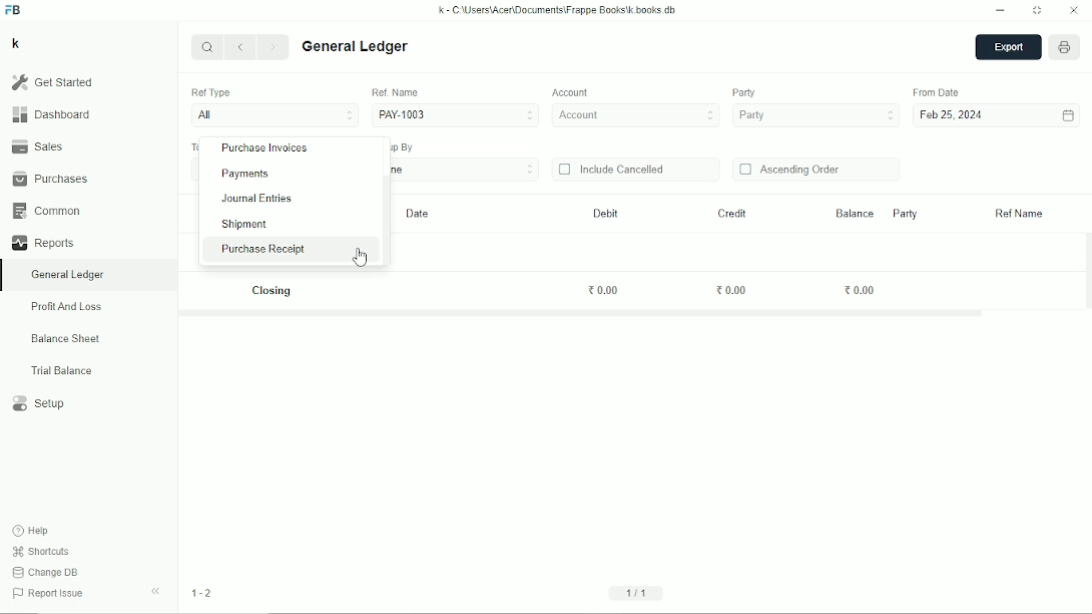 The height and width of the screenshot is (614, 1092). I want to click on Next, so click(275, 48).